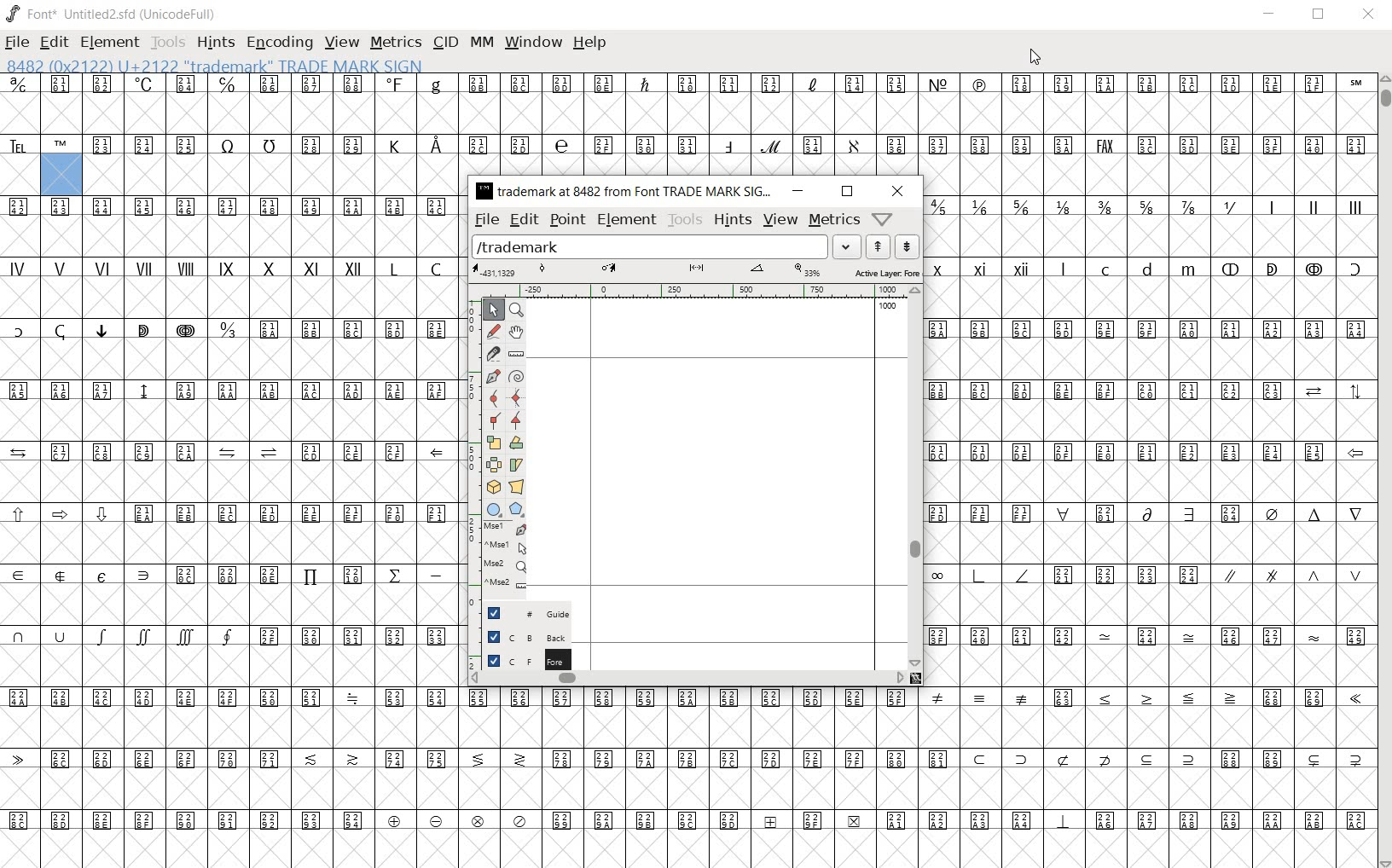 The height and width of the screenshot is (868, 1392). What do you see at coordinates (503, 557) in the screenshot?
I see `mse1 mse1 mse2 mse2` at bounding box center [503, 557].